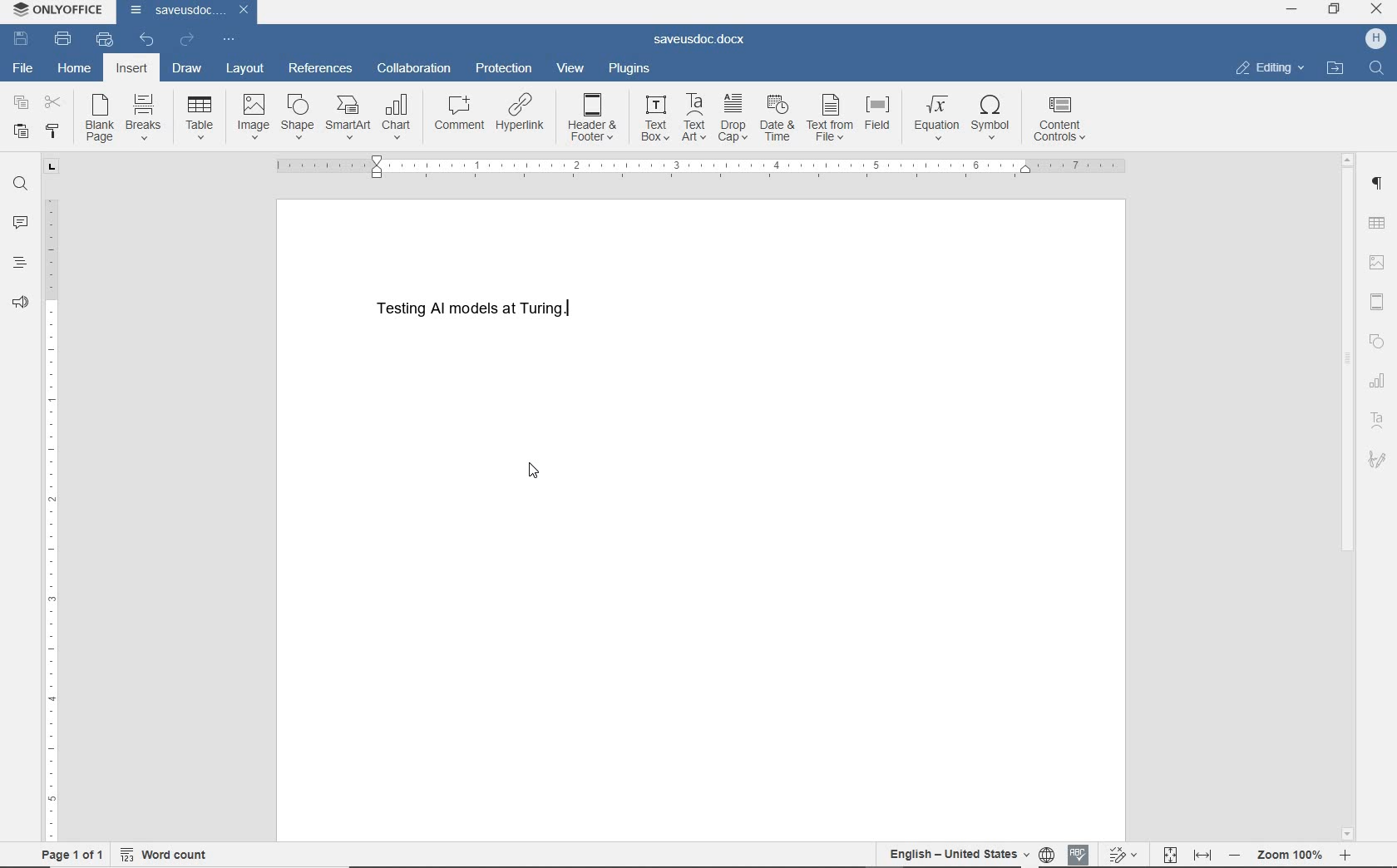  What do you see at coordinates (456, 114) in the screenshot?
I see `comment` at bounding box center [456, 114].